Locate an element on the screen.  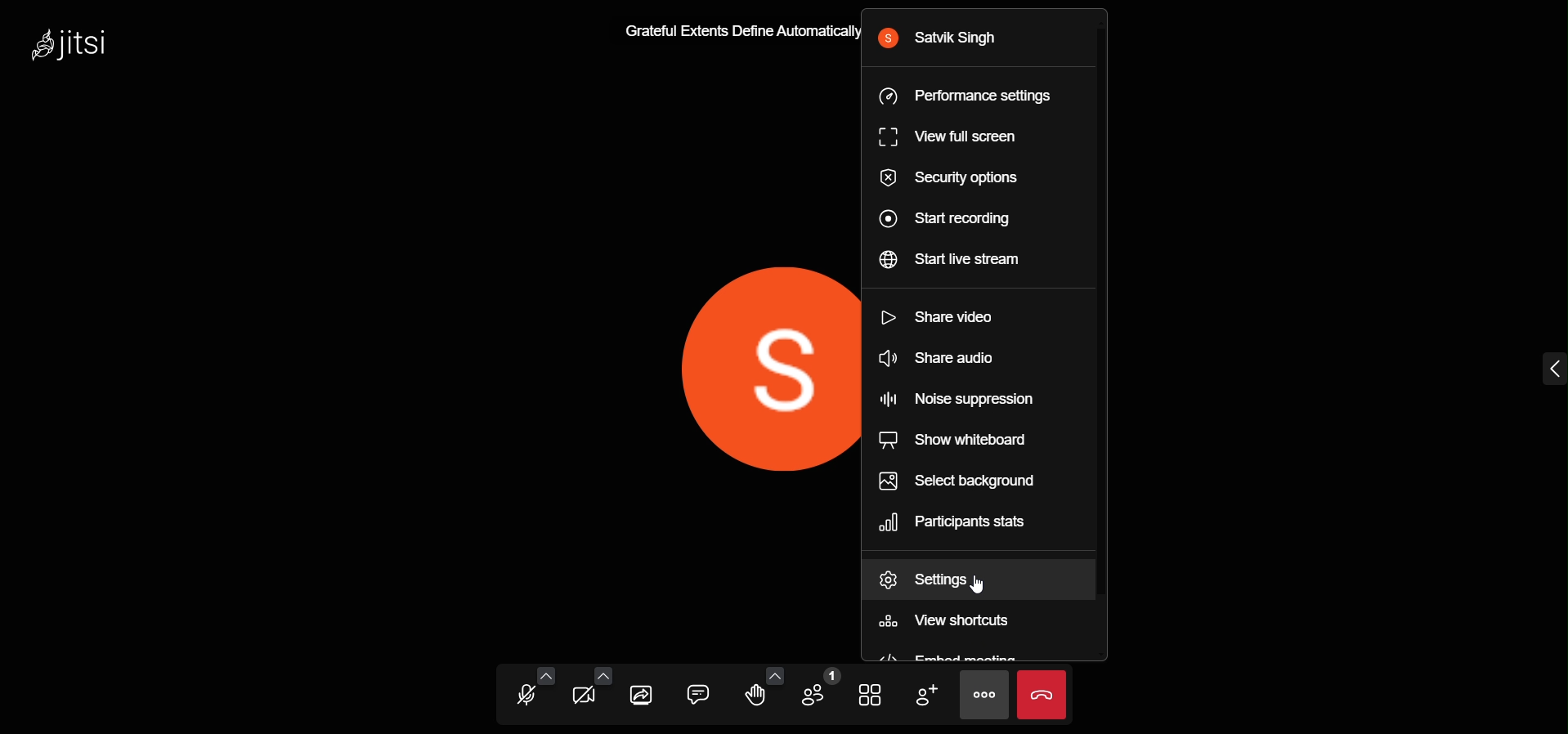
microphone is located at coordinates (522, 696).